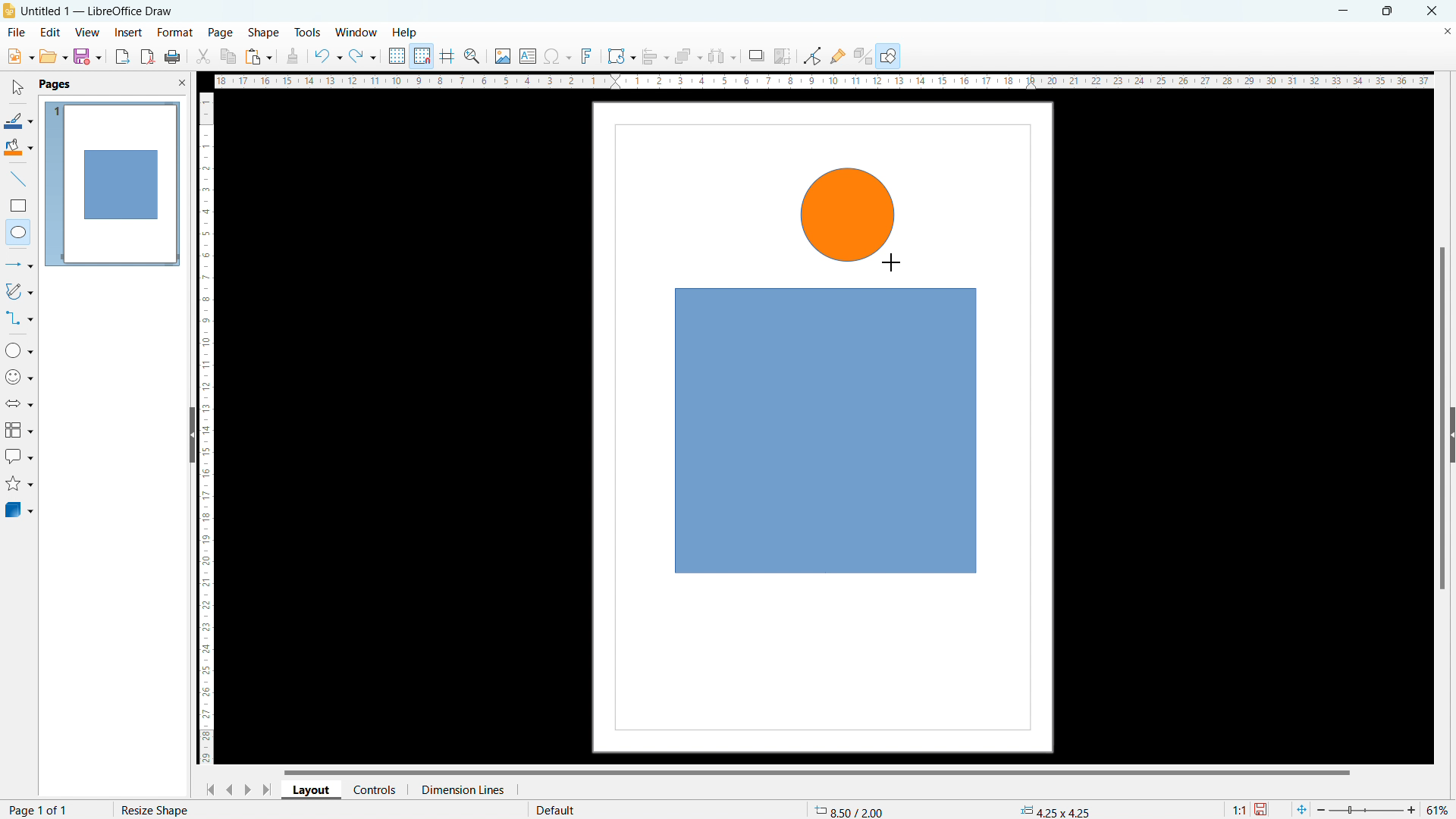  I want to click on shadow, so click(755, 56).